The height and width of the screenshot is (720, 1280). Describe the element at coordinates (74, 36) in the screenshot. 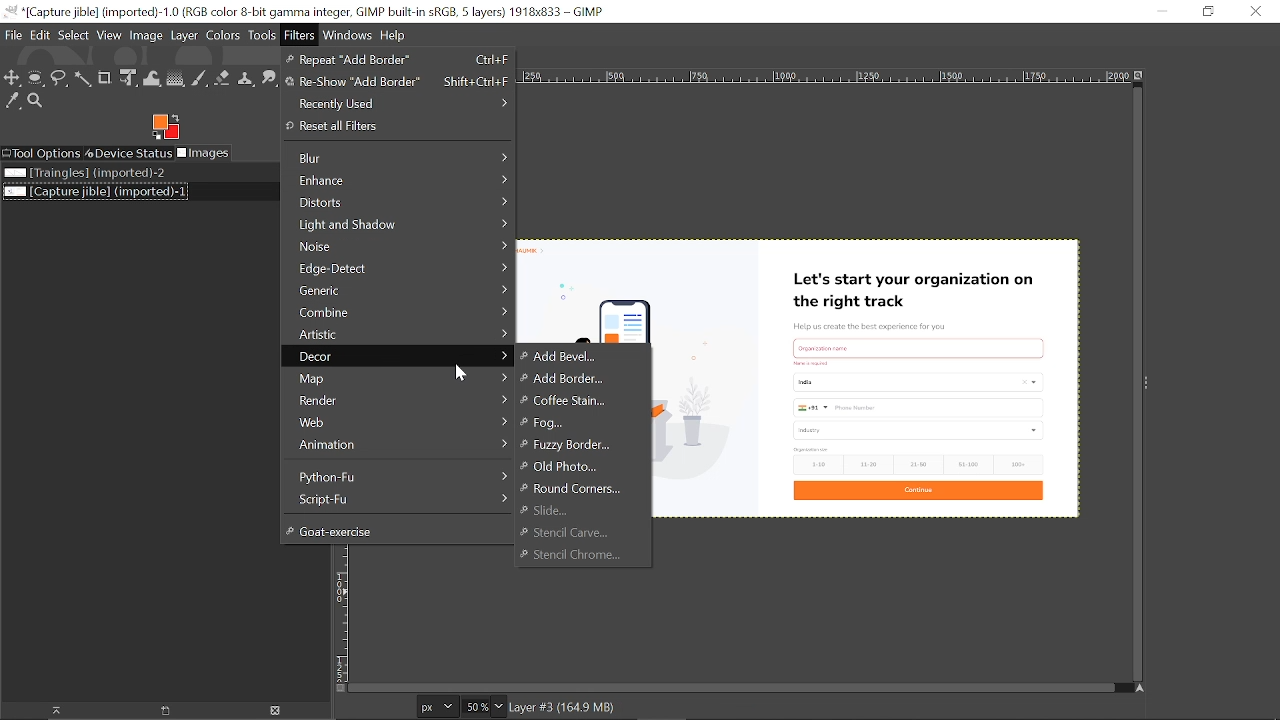

I see `Select` at that location.